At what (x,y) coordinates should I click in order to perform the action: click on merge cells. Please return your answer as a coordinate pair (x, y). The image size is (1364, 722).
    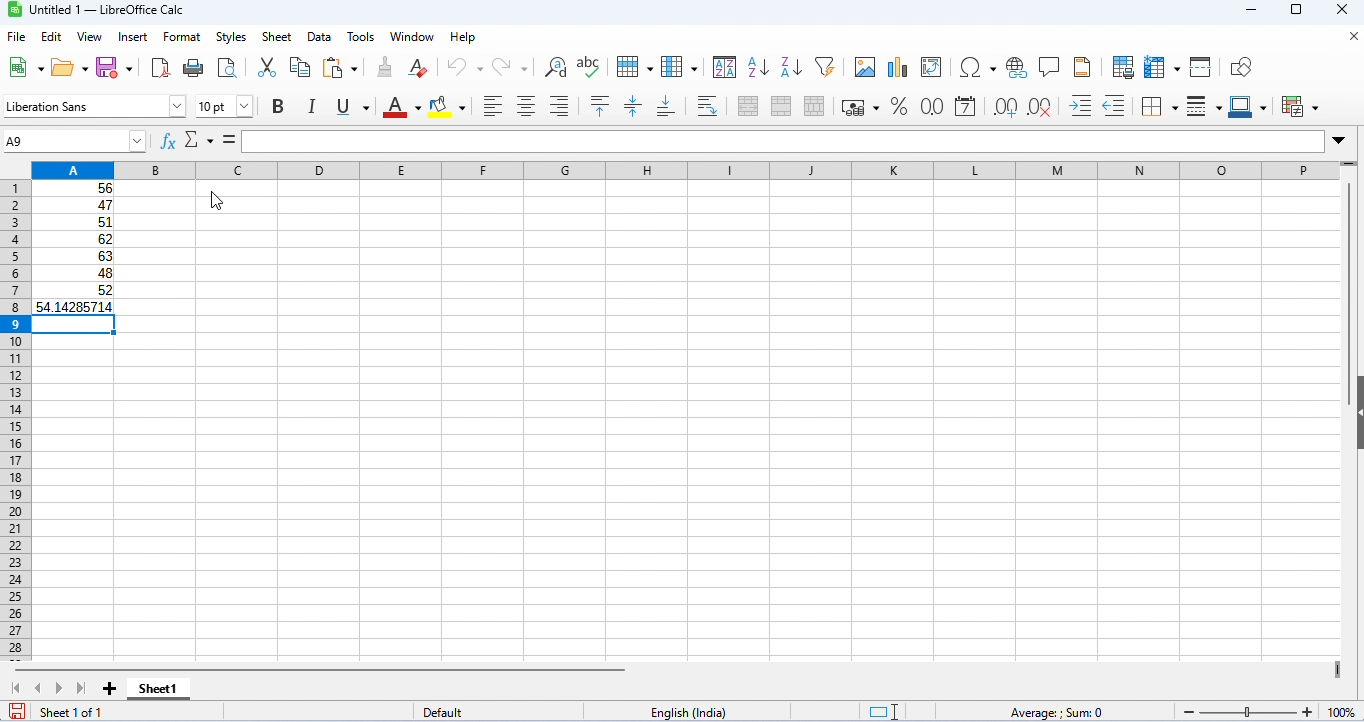
    Looking at the image, I should click on (781, 106).